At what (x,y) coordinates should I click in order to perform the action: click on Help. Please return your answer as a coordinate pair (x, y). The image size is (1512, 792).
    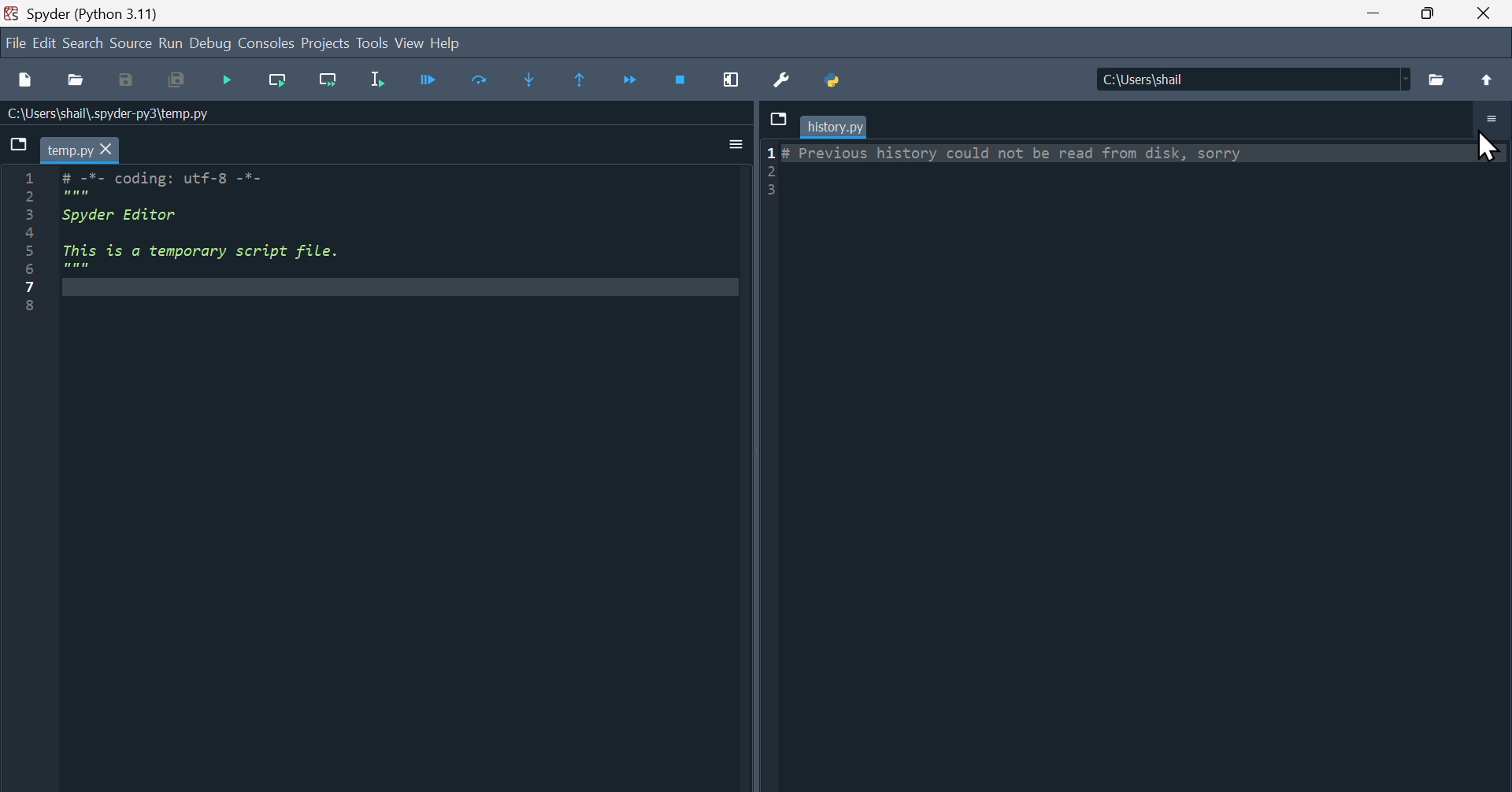
    Looking at the image, I should click on (445, 43).